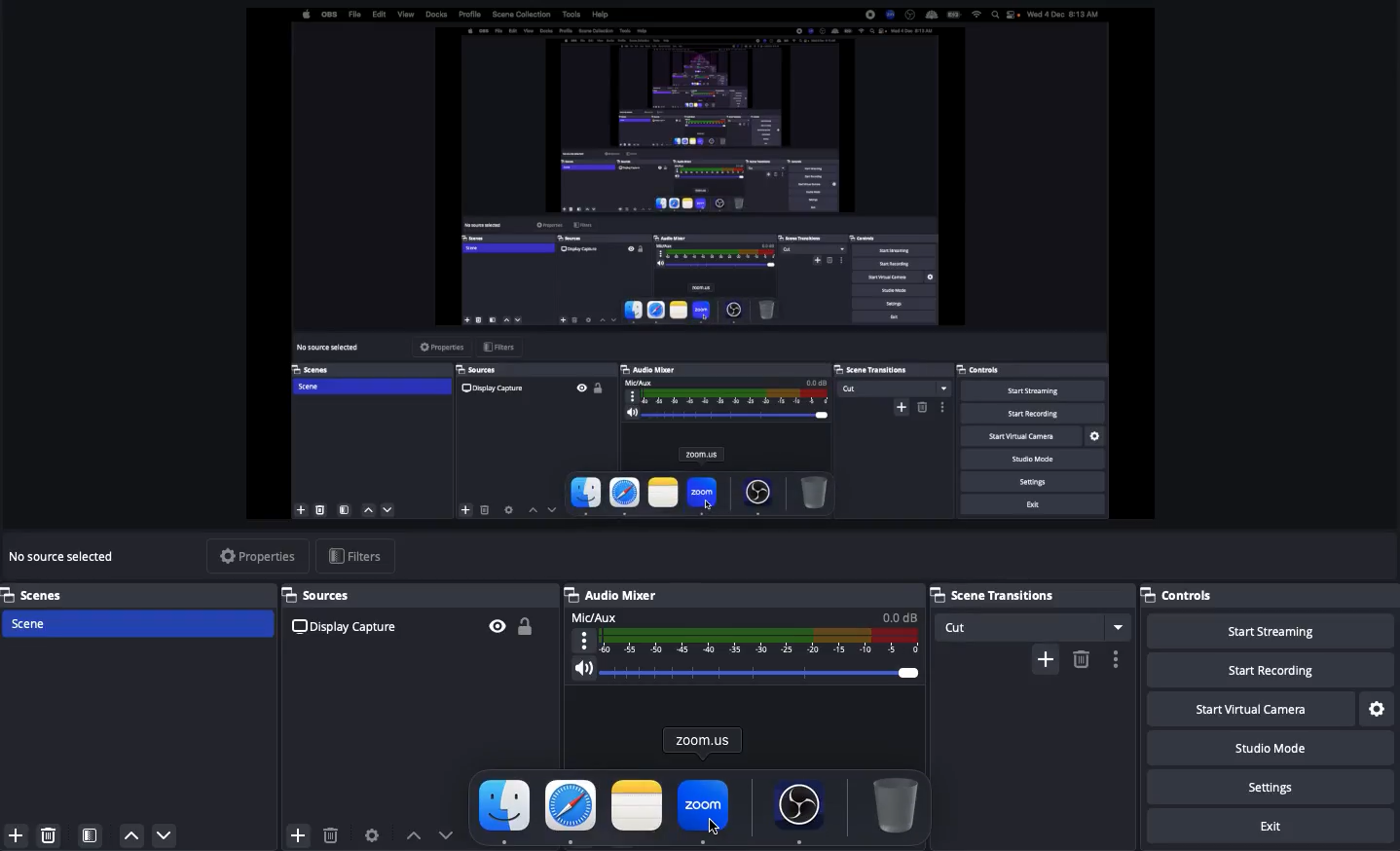 This screenshot has width=1400, height=851. Describe the element at coordinates (346, 627) in the screenshot. I see `Display capture` at that location.